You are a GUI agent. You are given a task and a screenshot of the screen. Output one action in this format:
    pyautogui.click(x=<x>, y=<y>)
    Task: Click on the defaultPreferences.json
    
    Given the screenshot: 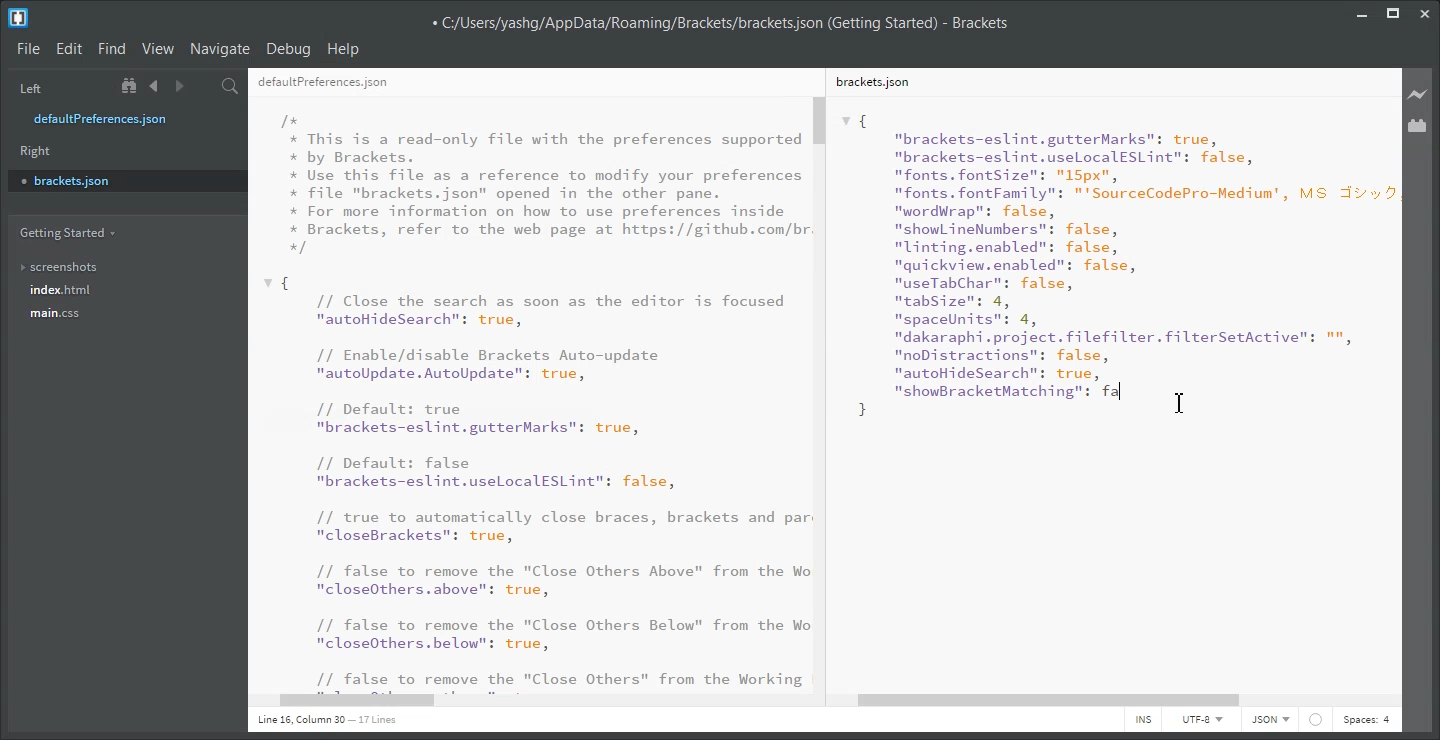 What is the action you would take?
    pyautogui.click(x=323, y=83)
    